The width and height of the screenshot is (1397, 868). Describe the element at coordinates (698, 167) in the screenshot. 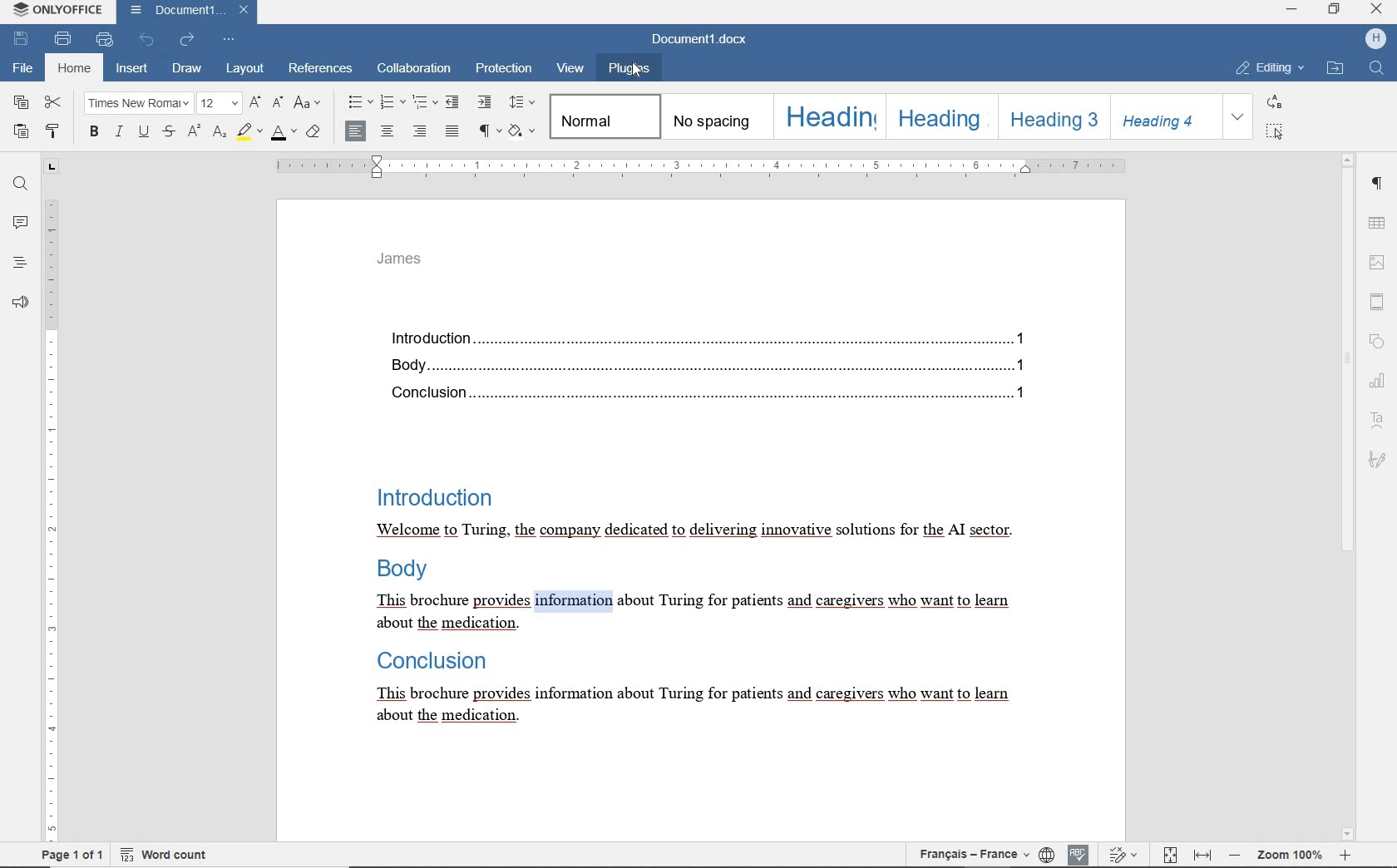

I see `RULER` at that location.